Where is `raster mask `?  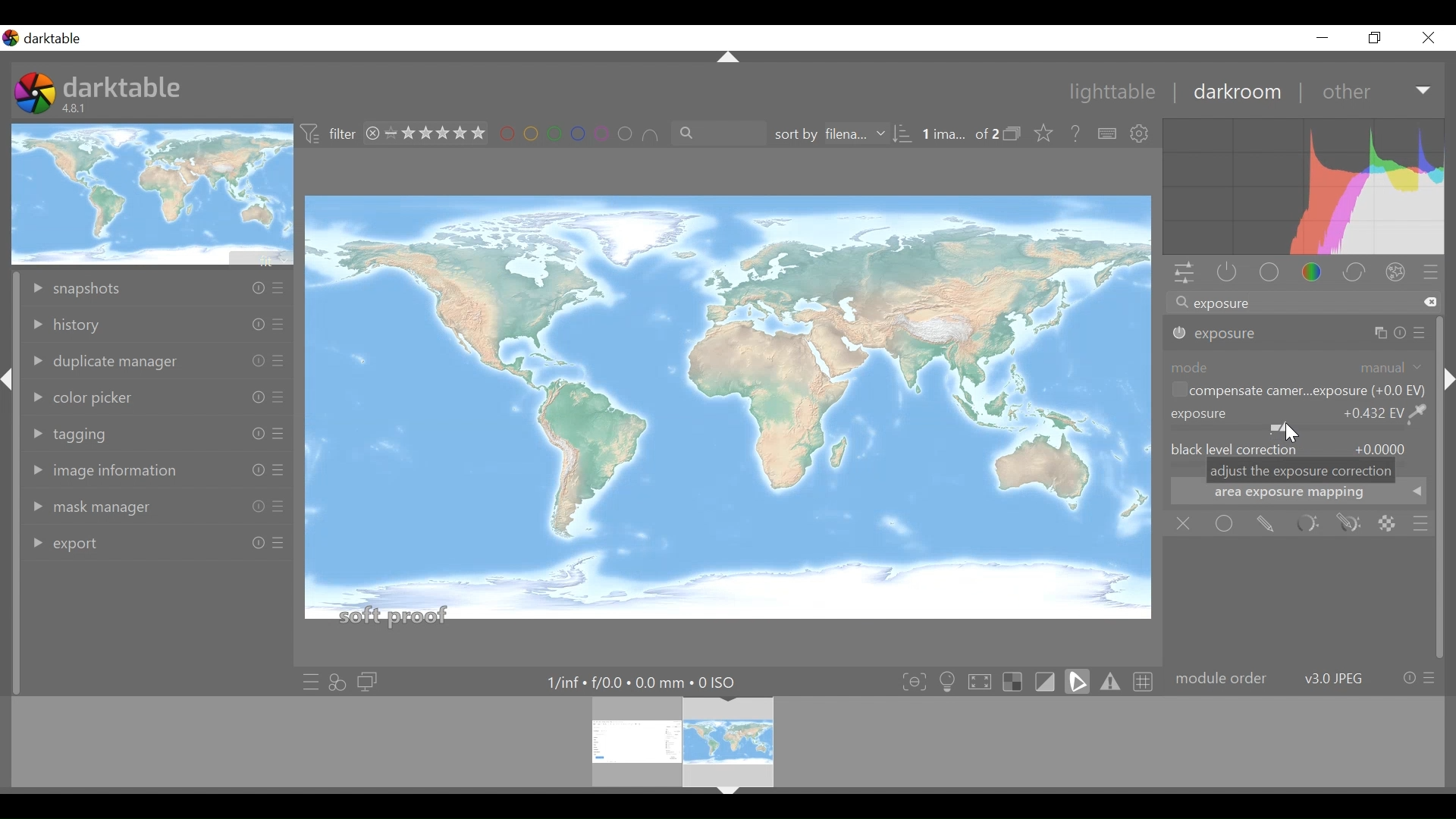 raster mask  is located at coordinates (1387, 523).